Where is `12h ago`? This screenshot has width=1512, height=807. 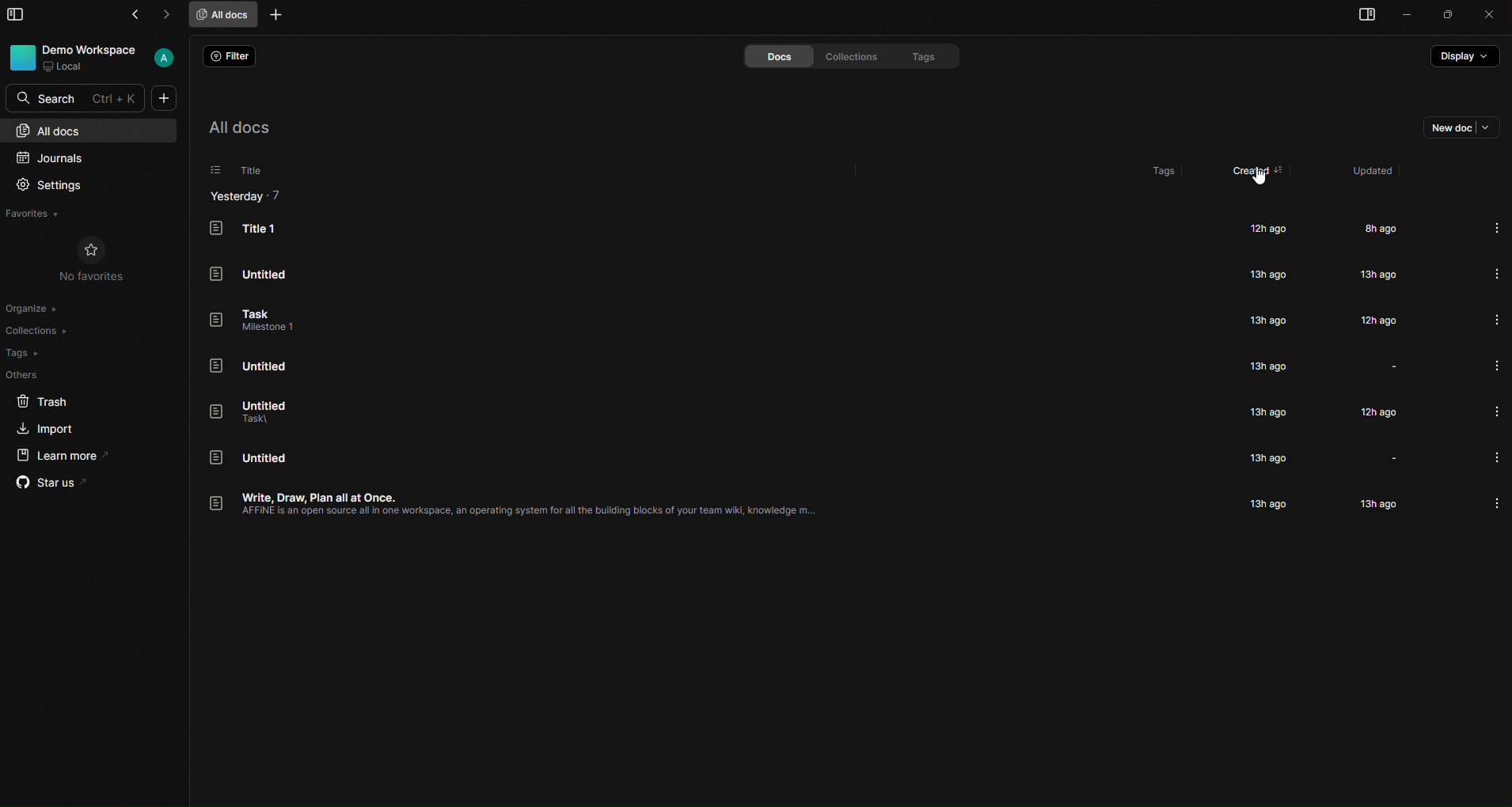
12h ago is located at coordinates (1376, 413).